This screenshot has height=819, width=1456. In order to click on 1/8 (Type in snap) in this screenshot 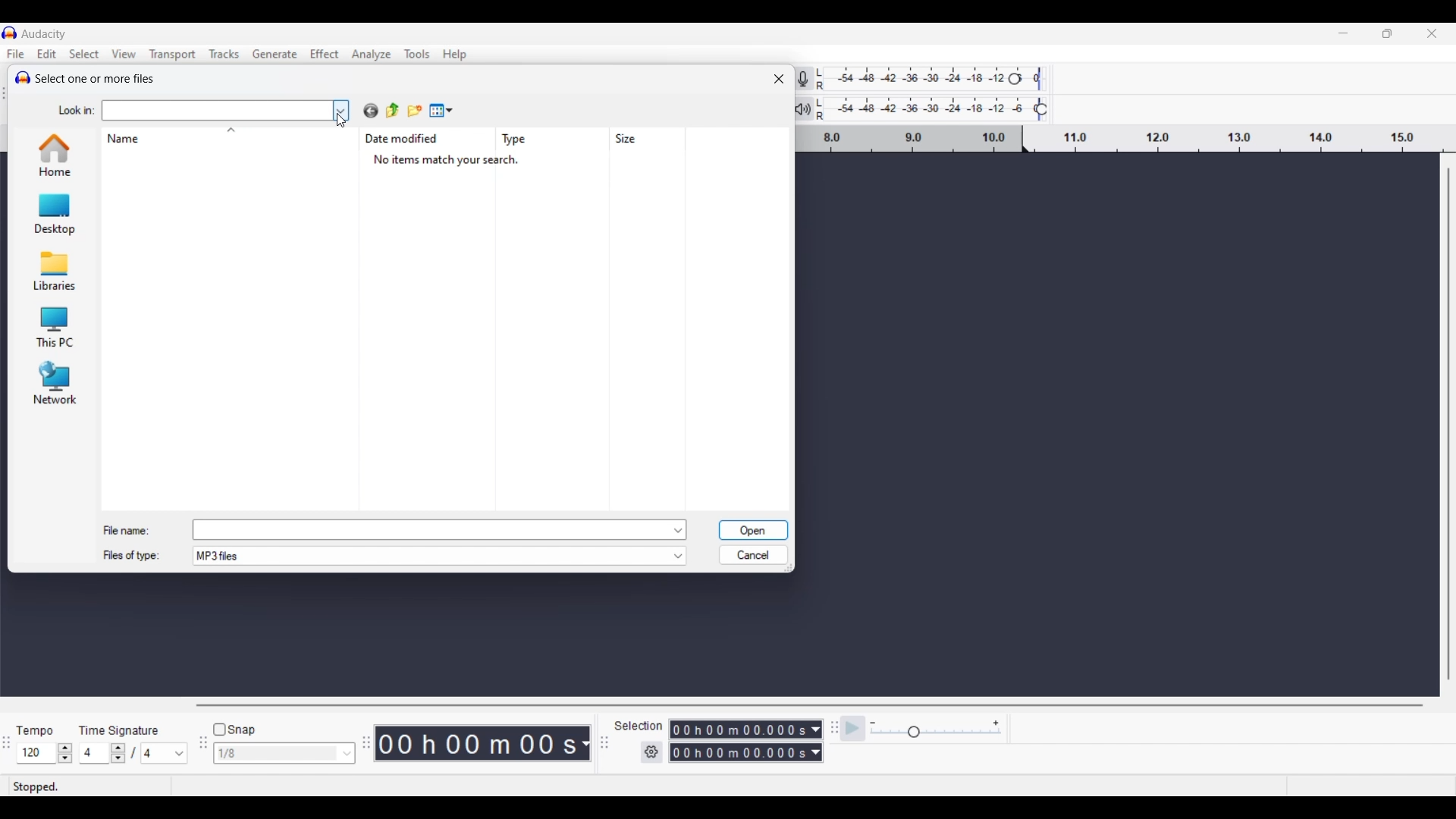, I will do `click(274, 755)`.